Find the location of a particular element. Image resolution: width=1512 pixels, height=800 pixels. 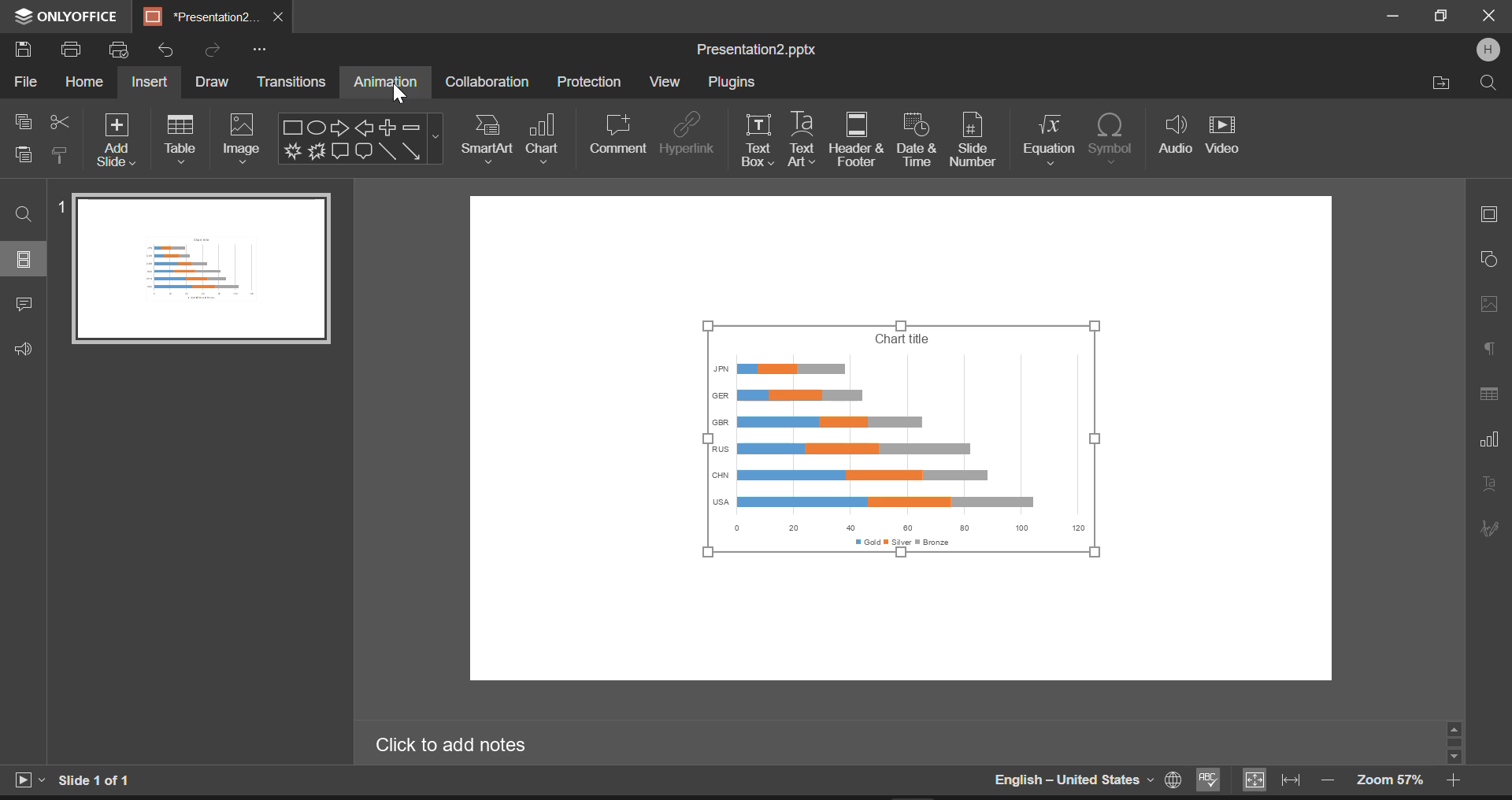

Slides is located at coordinates (25, 259).